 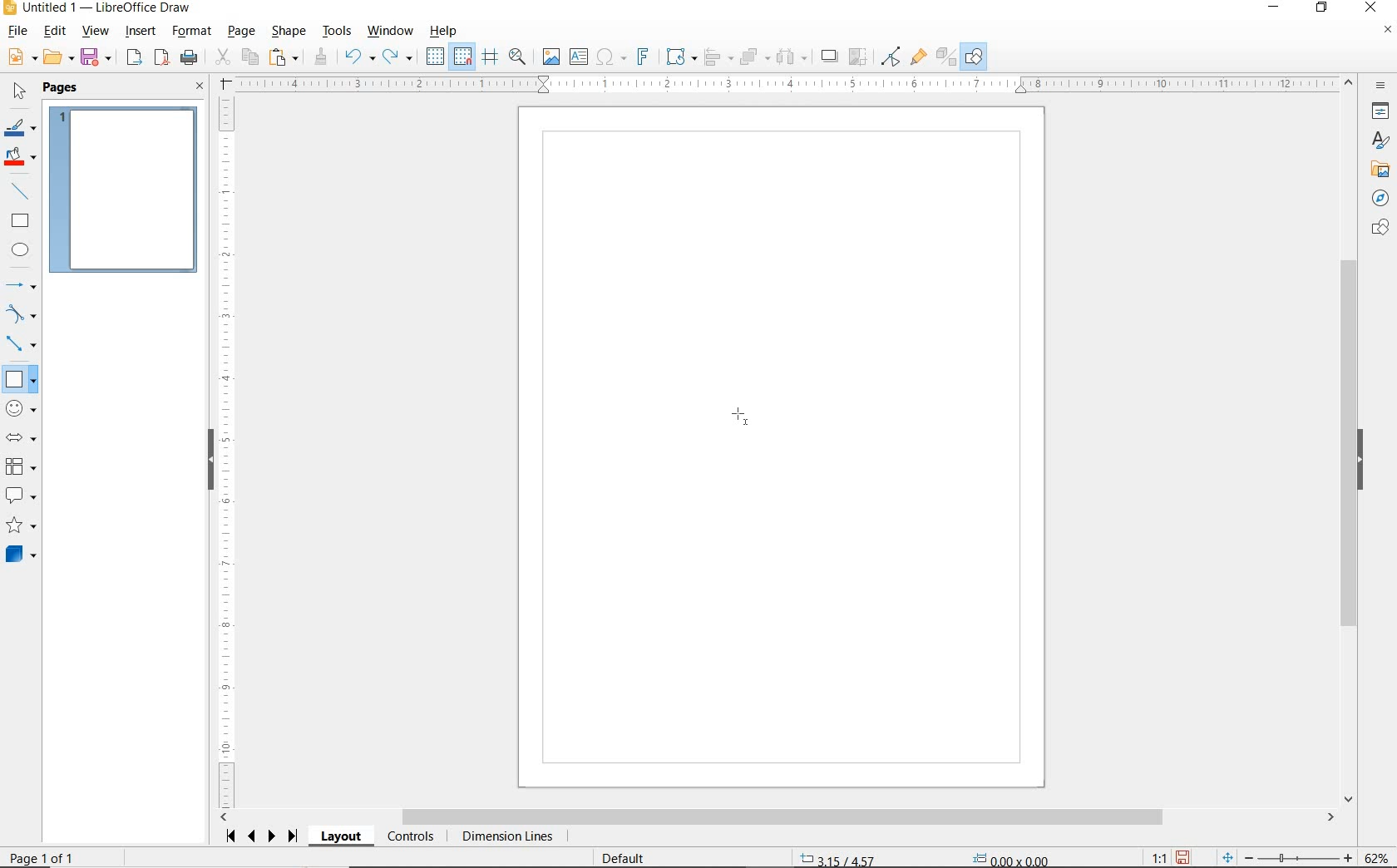 What do you see at coordinates (95, 31) in the screenshot?
I see `VIEW` at bounding box center [95, 31].